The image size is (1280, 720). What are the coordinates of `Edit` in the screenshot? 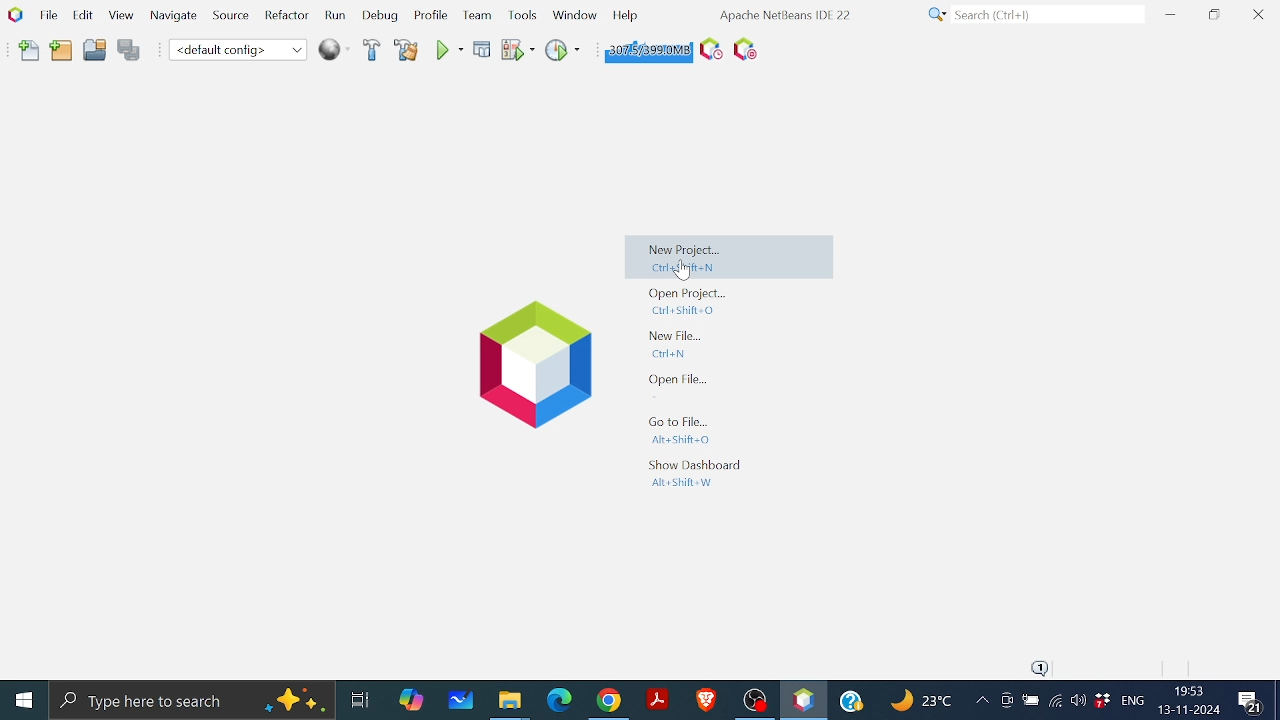 It's located at (80, 14).